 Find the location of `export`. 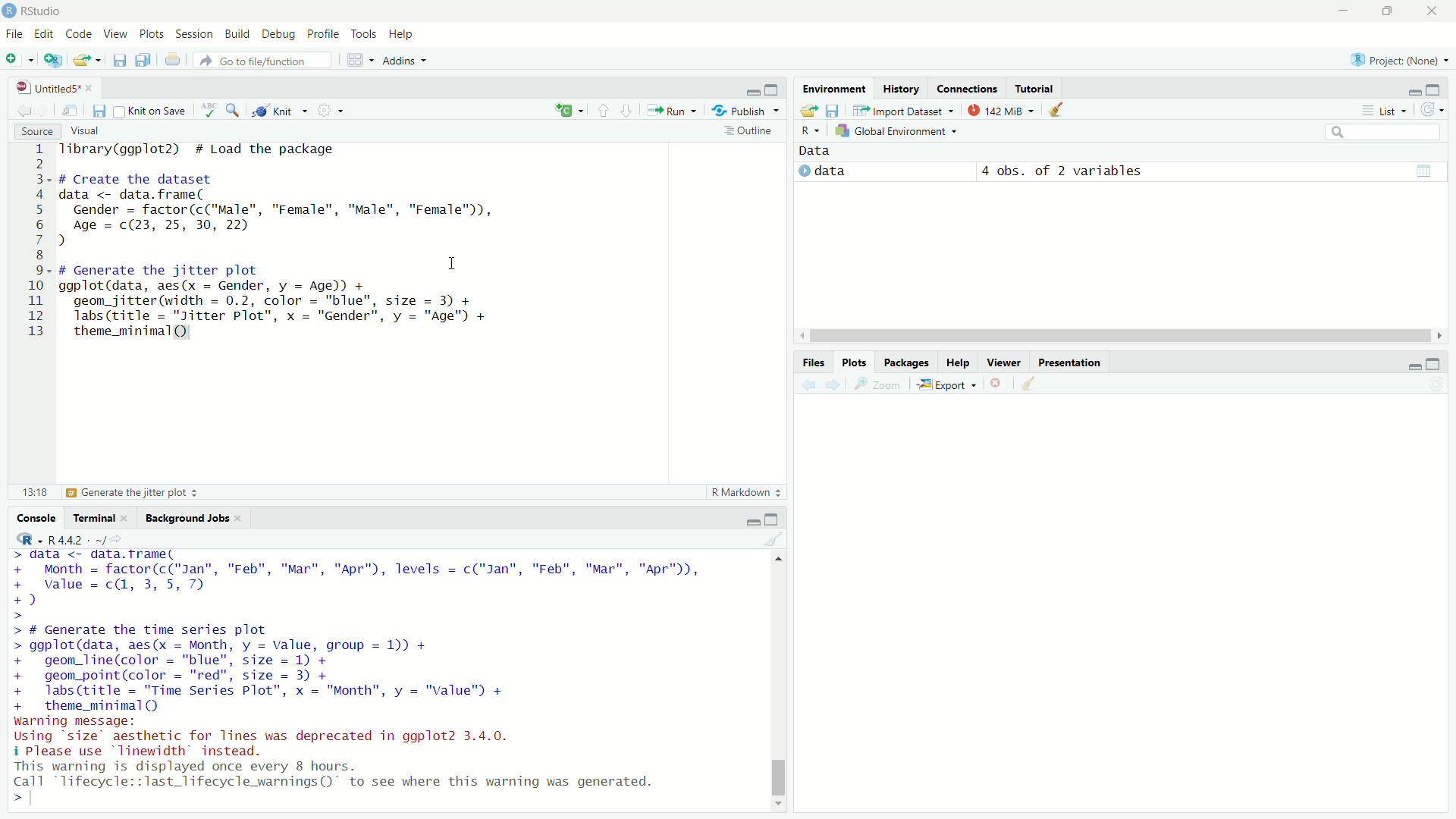

export is located at coordinates (949, 385).